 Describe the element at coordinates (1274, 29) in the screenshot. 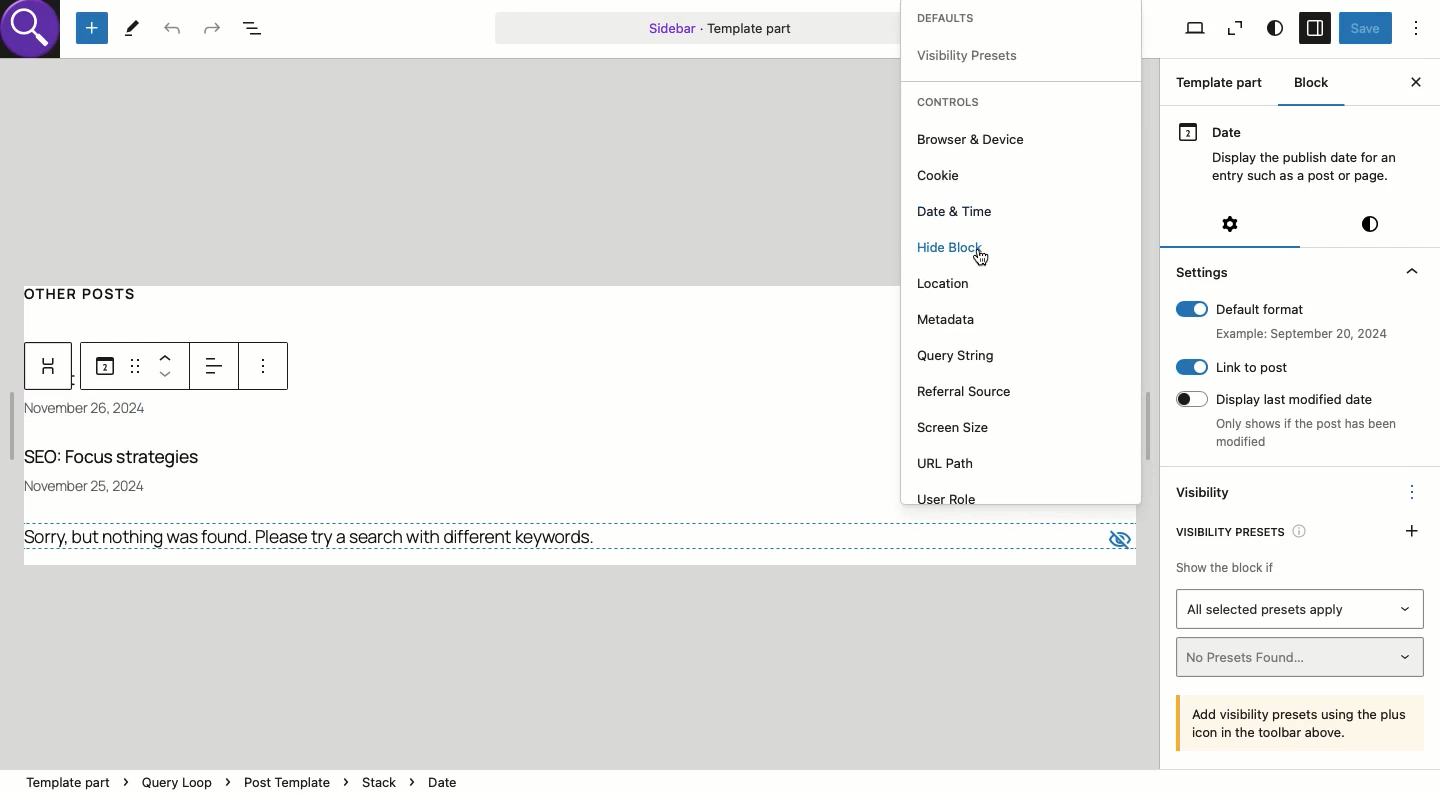

I see `Style` at that location.